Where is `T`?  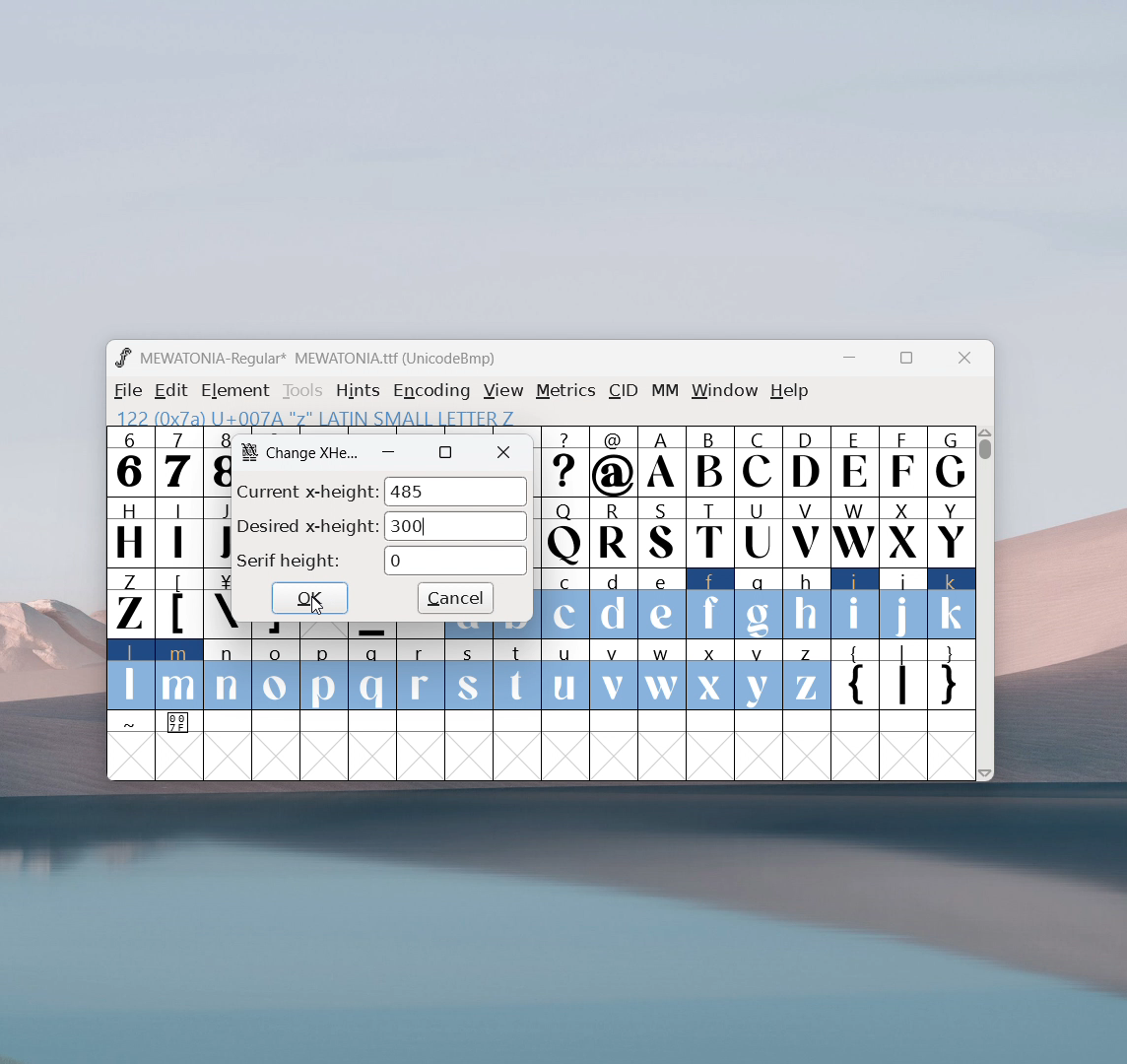
T is located at coordinates (711, 533).